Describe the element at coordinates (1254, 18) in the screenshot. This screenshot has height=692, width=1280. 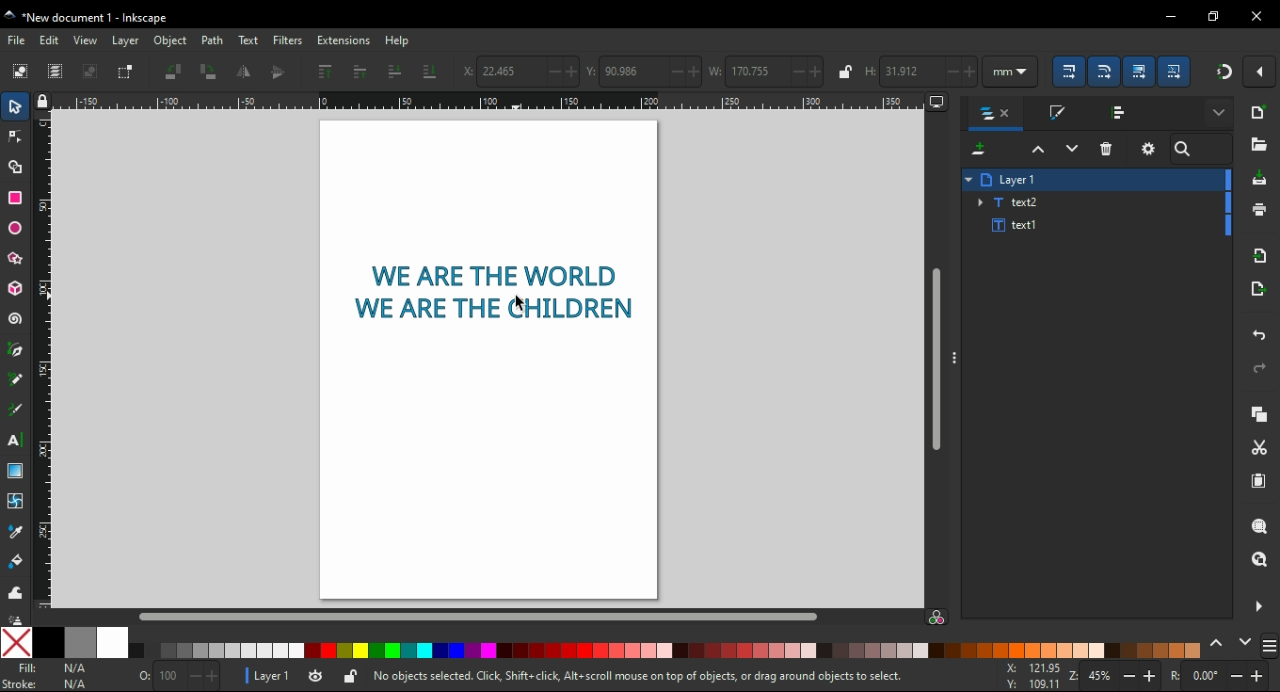
I see `close window` at that location.